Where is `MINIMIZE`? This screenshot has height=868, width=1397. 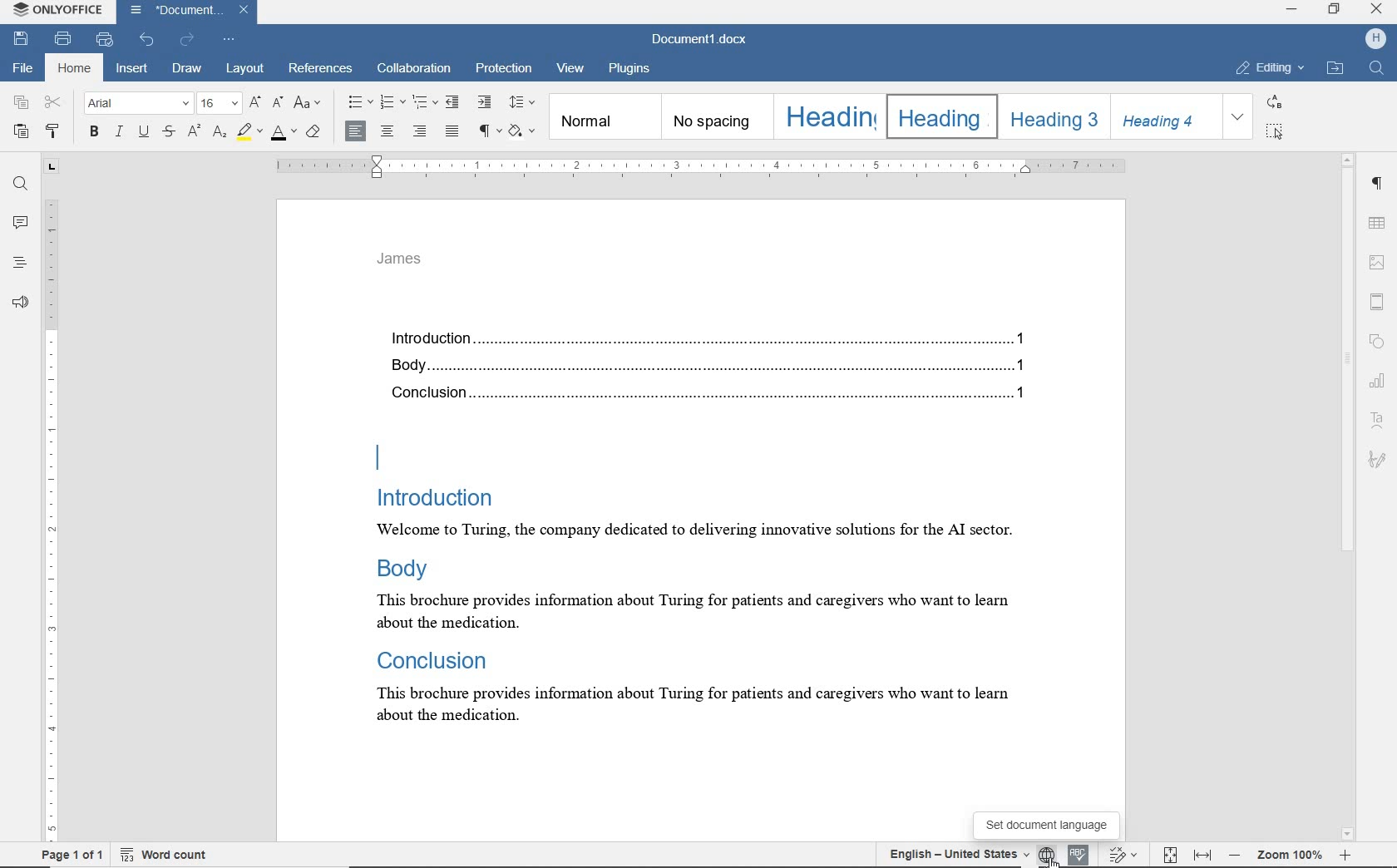
MINIMIZE is located at coordinates (1292, 12).